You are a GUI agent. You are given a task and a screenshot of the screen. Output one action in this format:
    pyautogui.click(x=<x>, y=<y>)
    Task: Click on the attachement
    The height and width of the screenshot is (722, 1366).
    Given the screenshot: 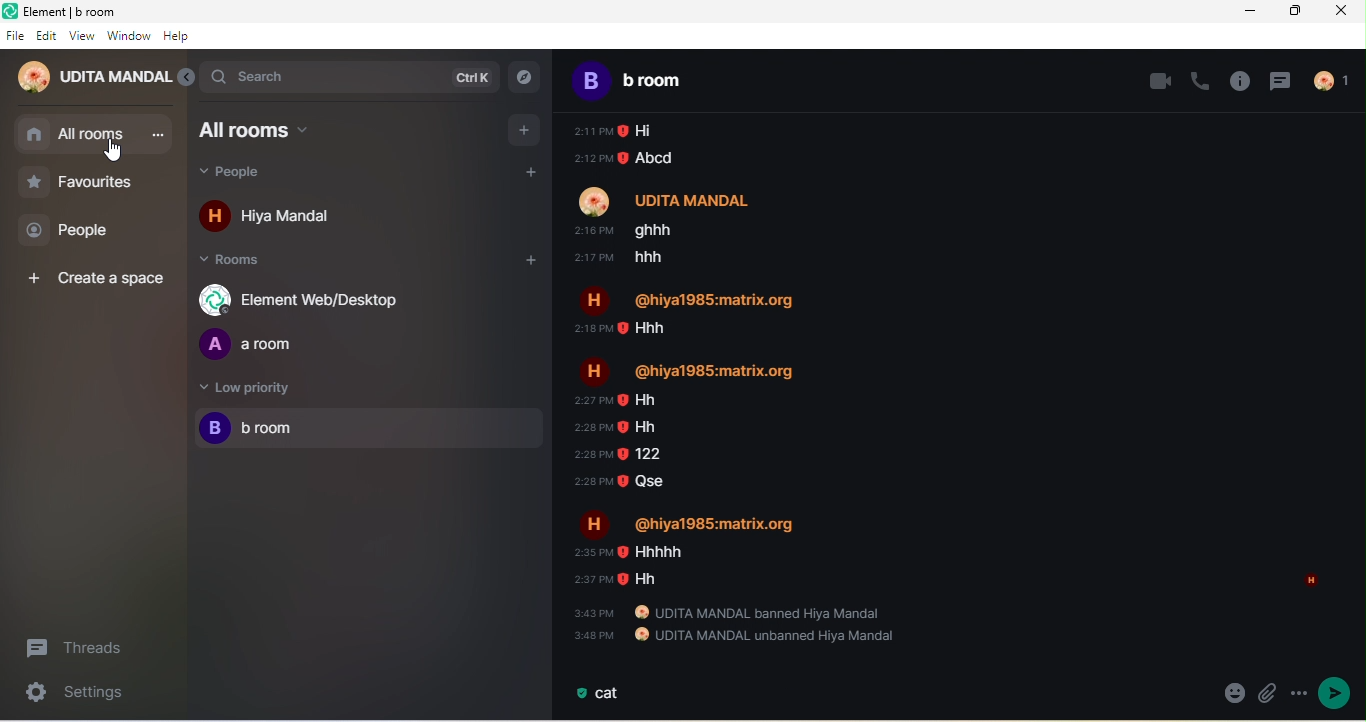 What is the action you would take?
    pyautogui.click(x=1235, y=694)
    